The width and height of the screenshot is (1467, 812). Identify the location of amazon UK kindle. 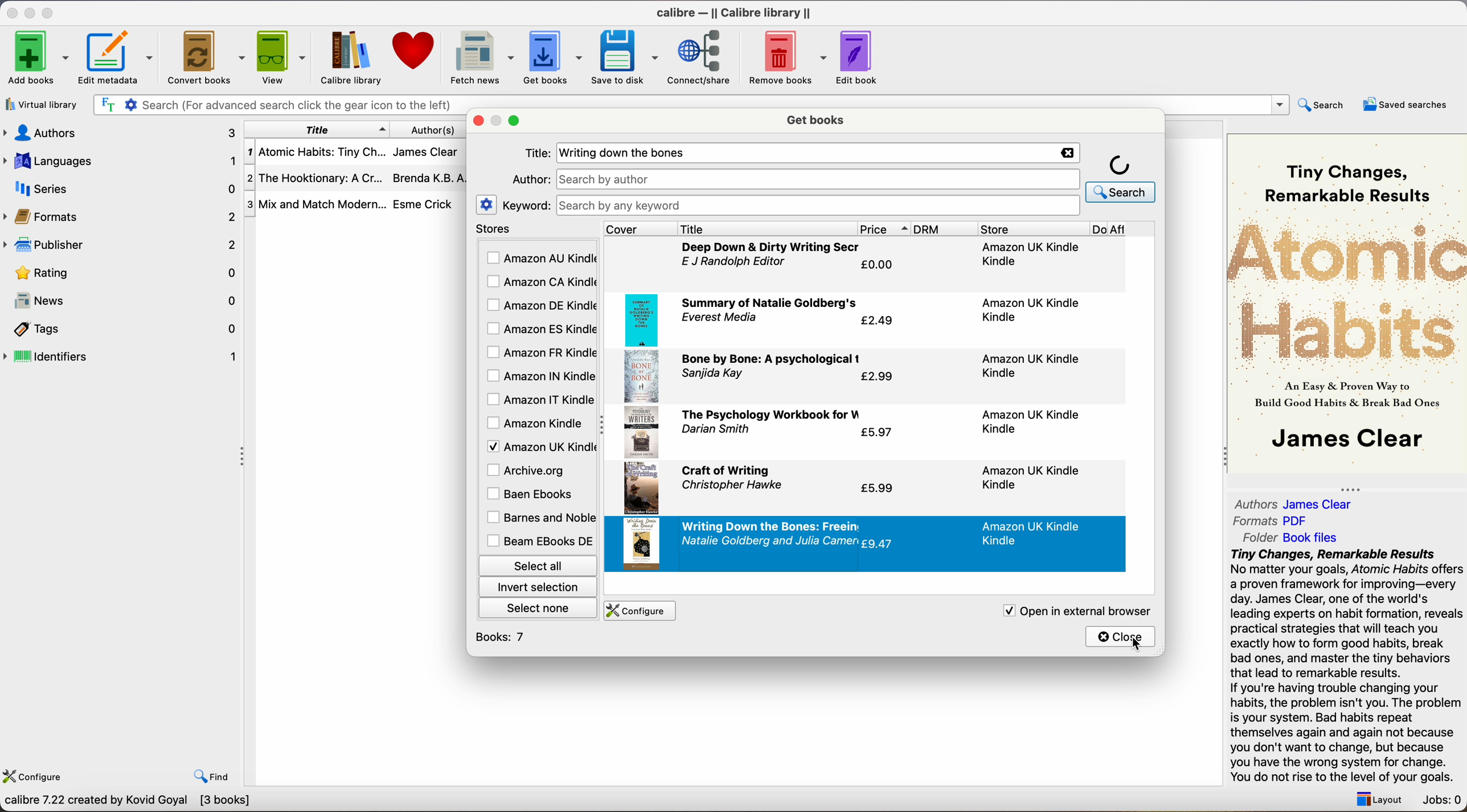
(1029, 309).